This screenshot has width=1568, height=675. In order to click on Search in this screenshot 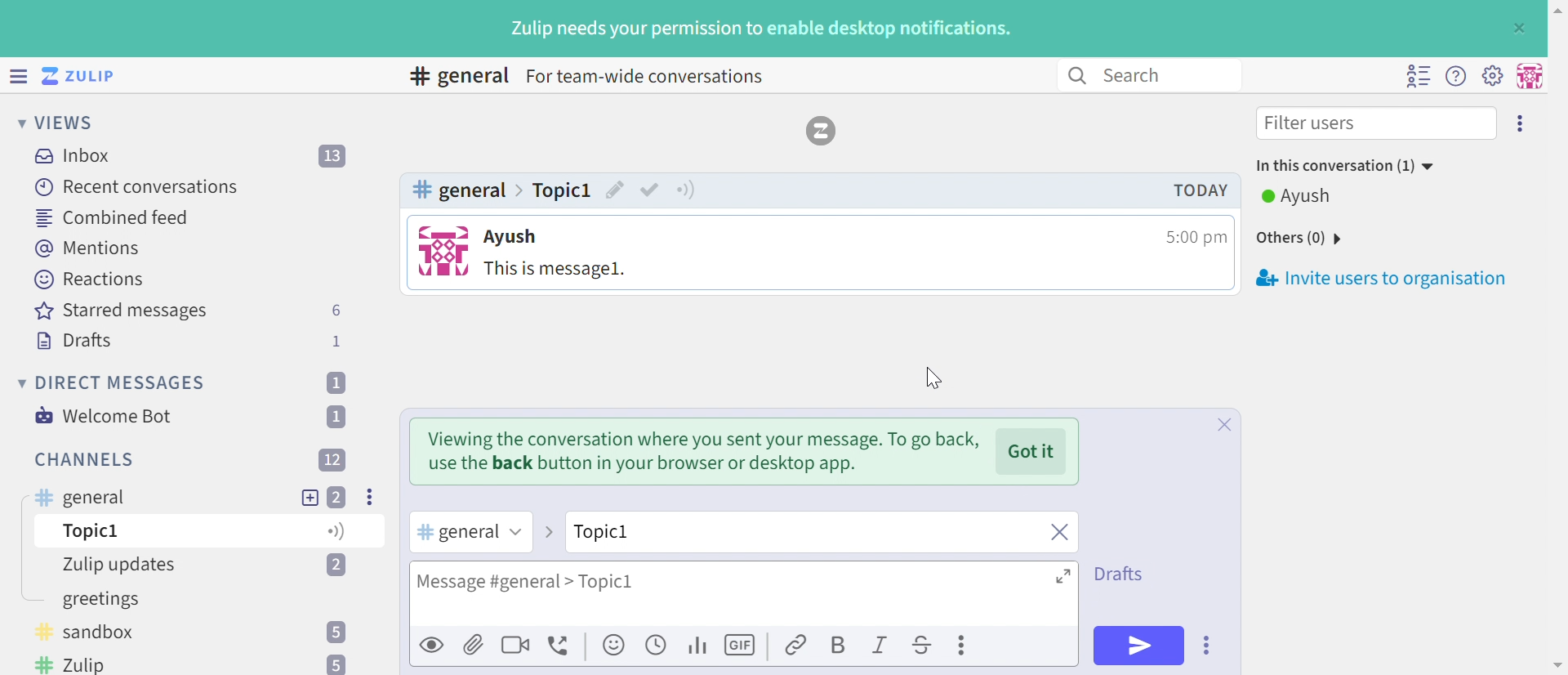, I will do `click(1076, 76)`.